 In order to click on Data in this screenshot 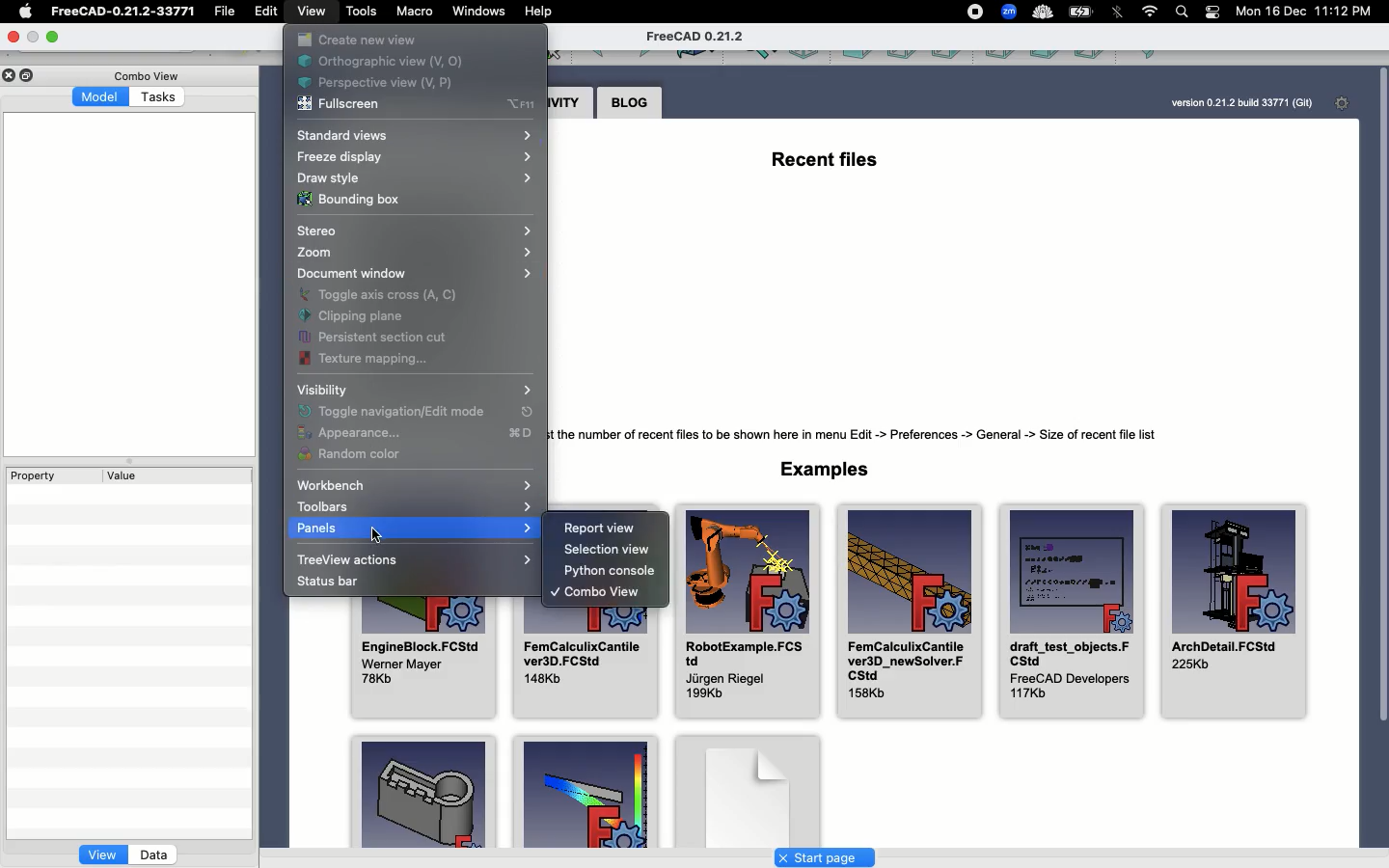, I will do `click(153, 854)`.